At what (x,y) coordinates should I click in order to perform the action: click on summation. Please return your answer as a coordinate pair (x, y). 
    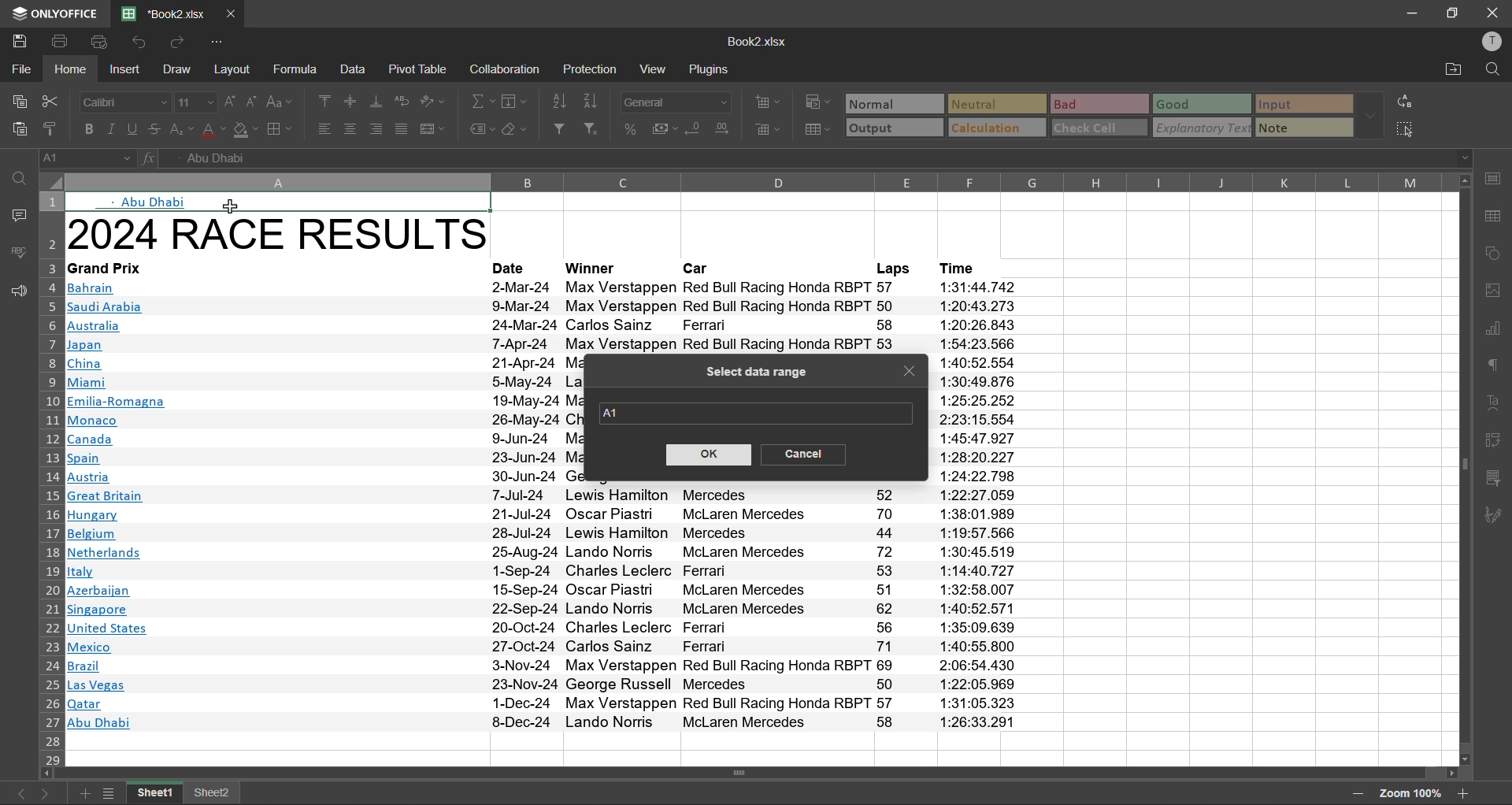
    Looking at the image, I should click on (483, 101).